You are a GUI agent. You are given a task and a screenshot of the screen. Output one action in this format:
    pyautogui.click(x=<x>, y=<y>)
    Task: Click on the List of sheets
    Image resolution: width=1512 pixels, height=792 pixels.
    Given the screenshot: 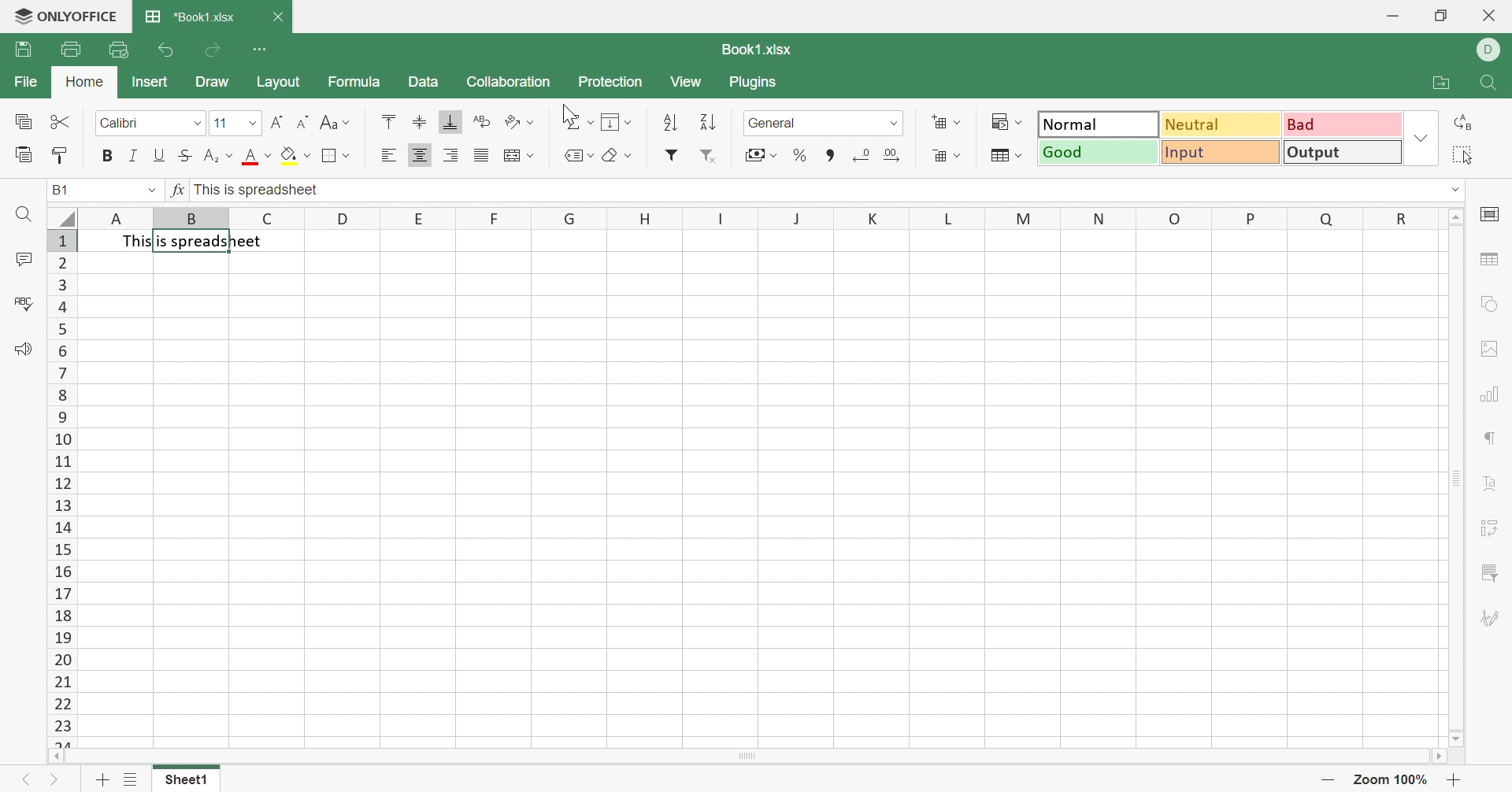 What is the action you would take?
    pyautogui.click(x=132, y=779)
    